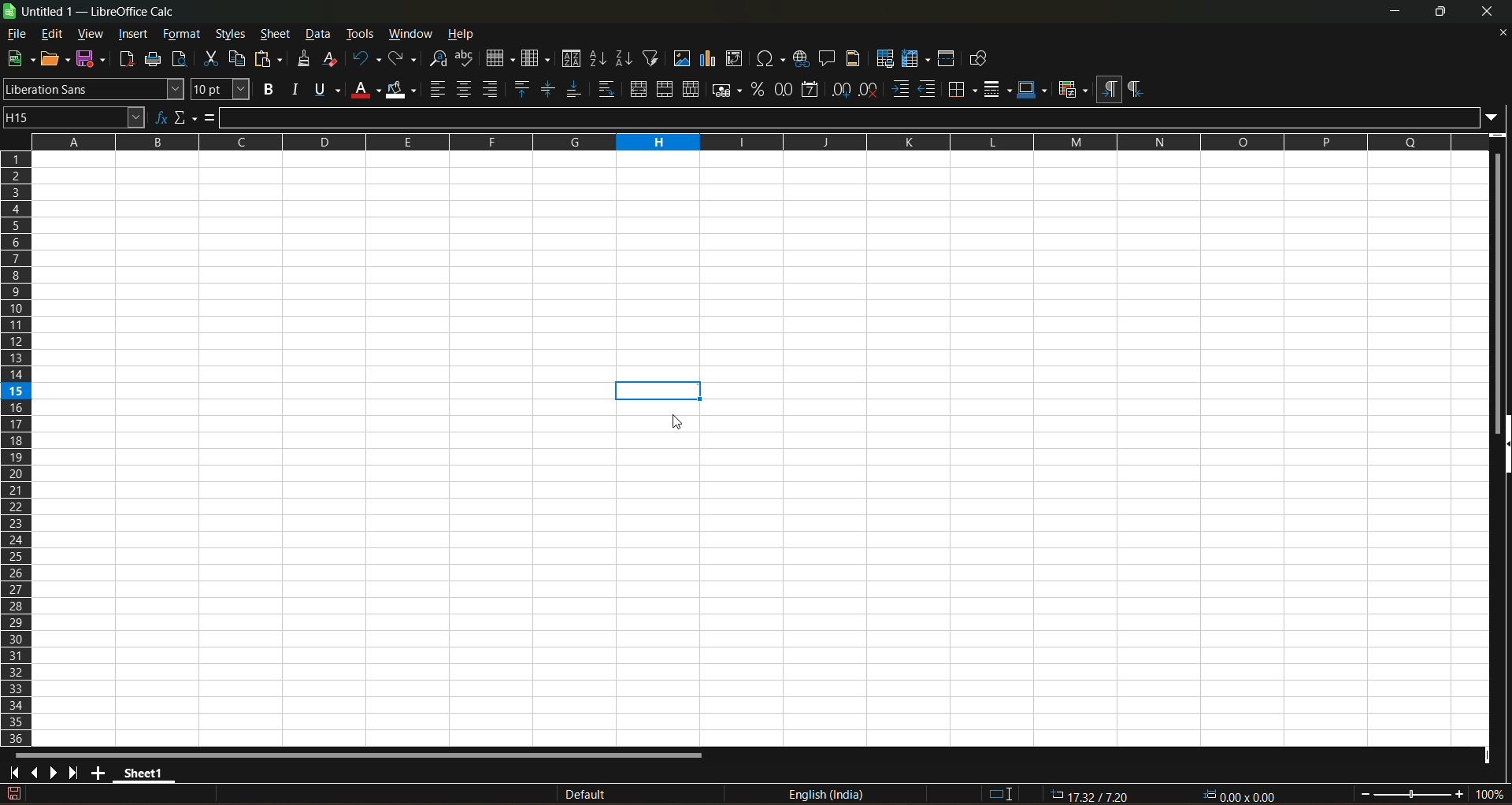 This screenshot has width=1512, height=805. What do you see at coordinates (18, 456) in the screenshot?
I see `columns` at bounding box center [18, 456].